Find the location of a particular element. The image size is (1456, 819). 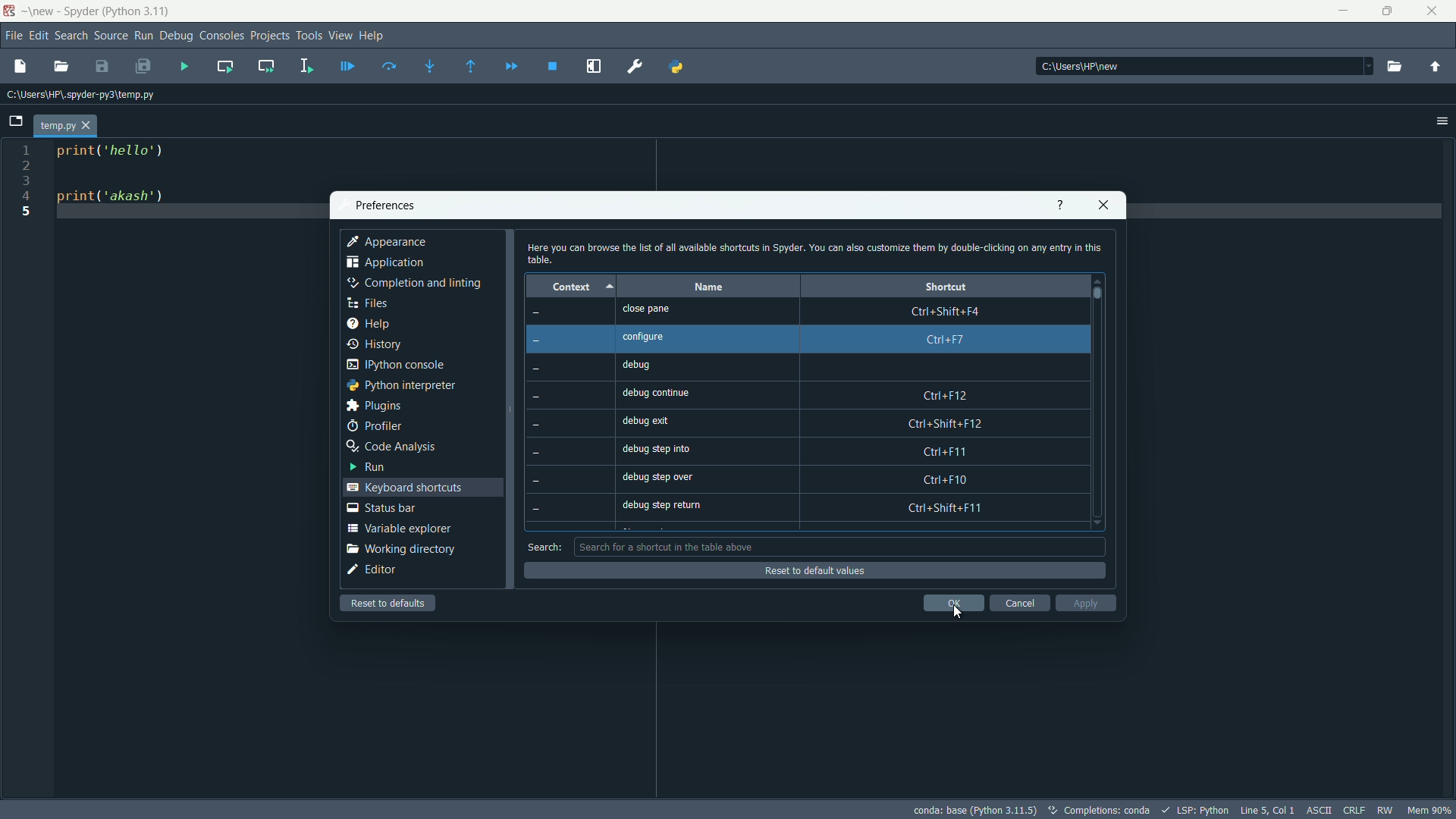

tools menu is located at coordinates (309, 35).